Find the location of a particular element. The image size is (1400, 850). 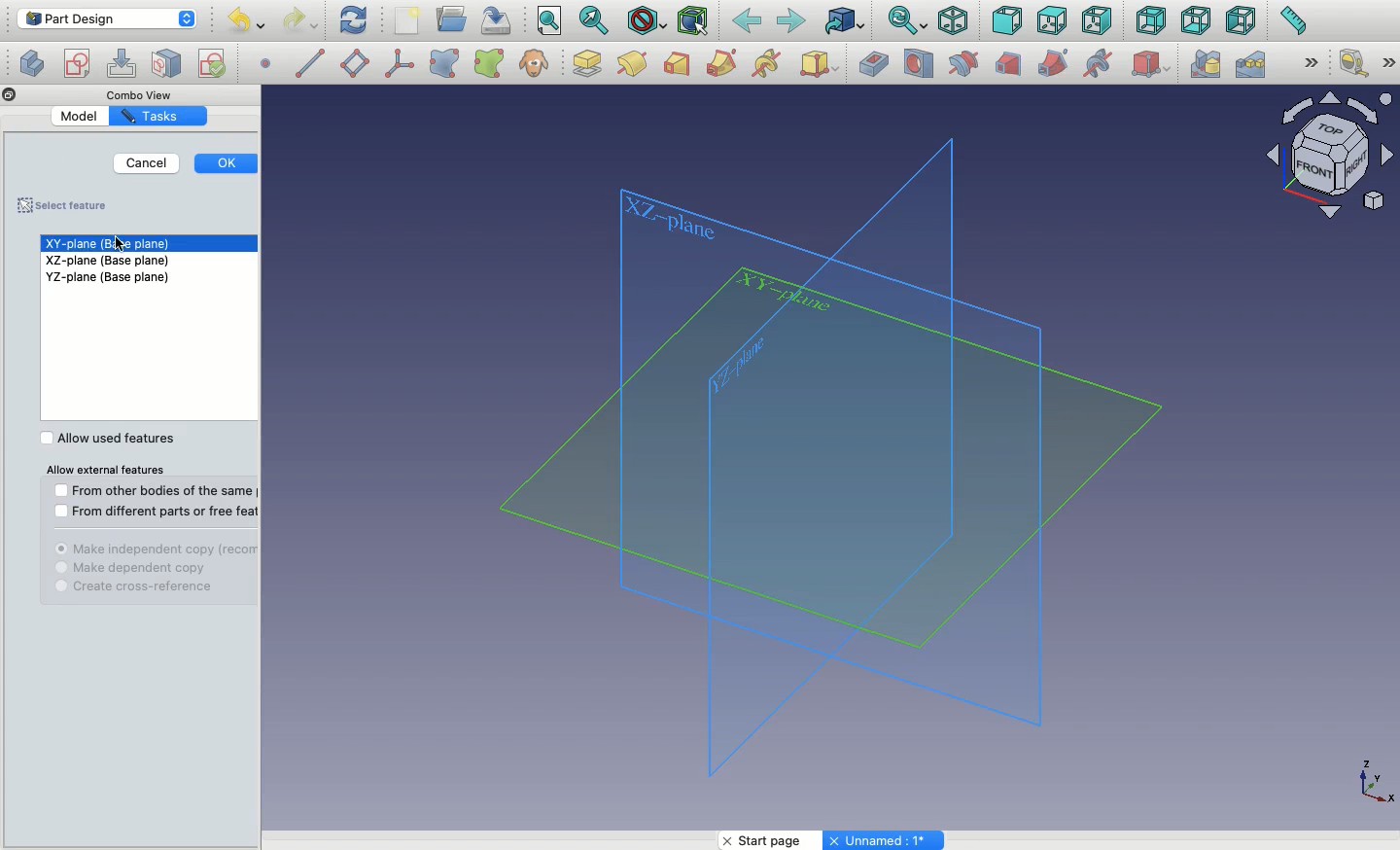

Cross refence  is located at coordinates (133, 587).